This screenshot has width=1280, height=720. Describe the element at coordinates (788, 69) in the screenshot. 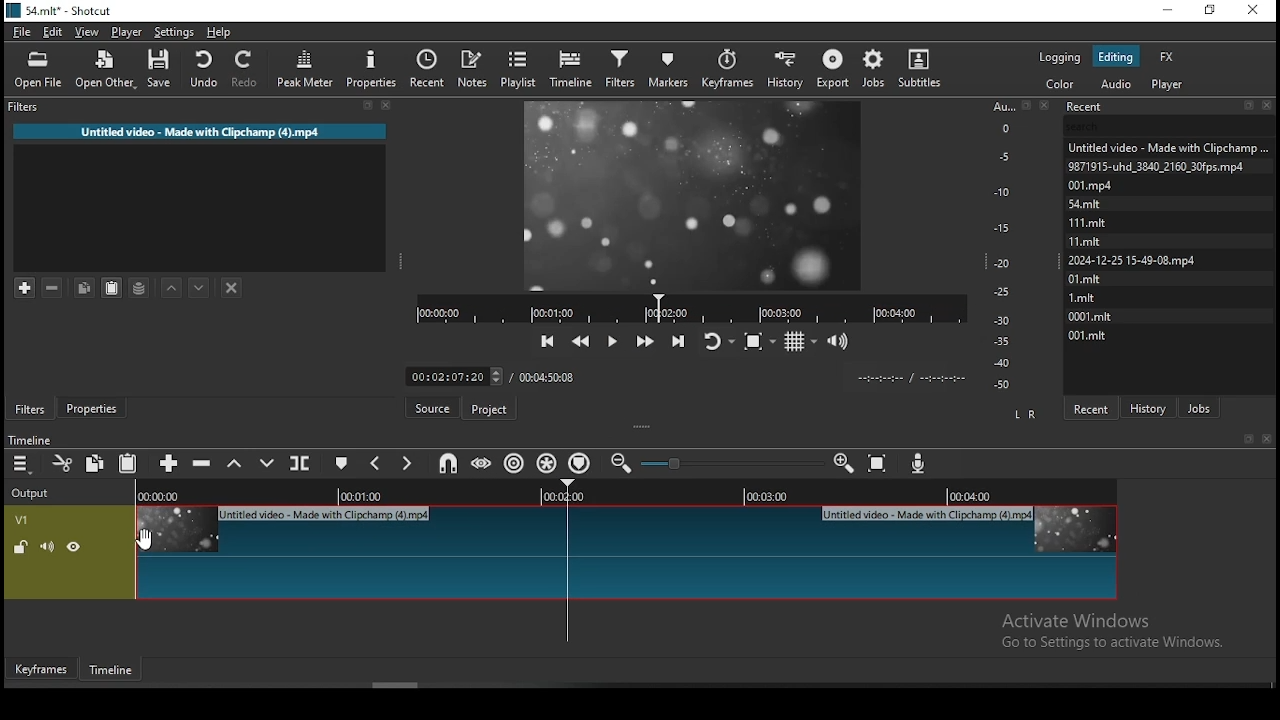

I see `history` at that location.